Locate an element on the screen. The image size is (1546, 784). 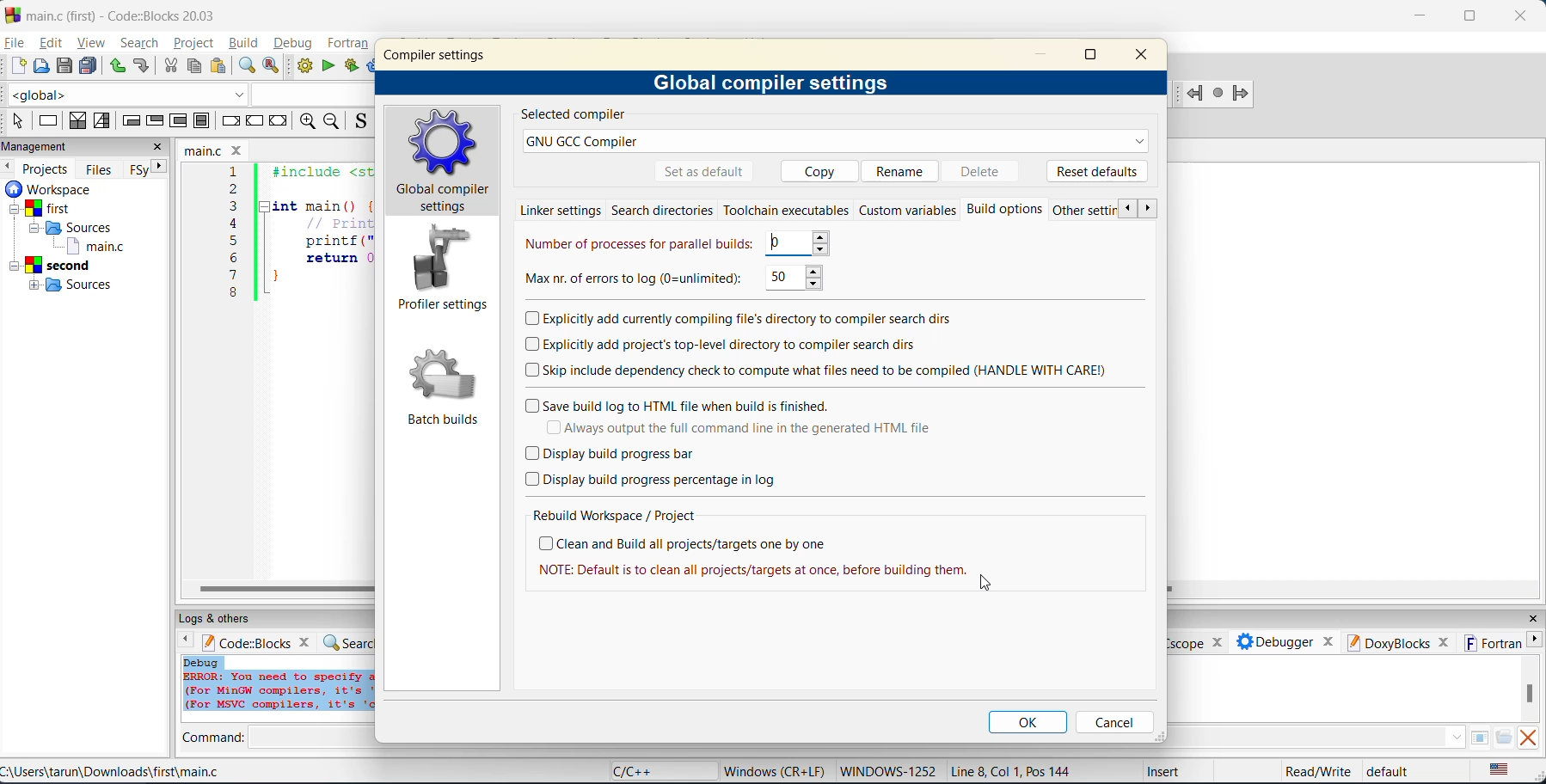
files is located at coordinates (101, 168).